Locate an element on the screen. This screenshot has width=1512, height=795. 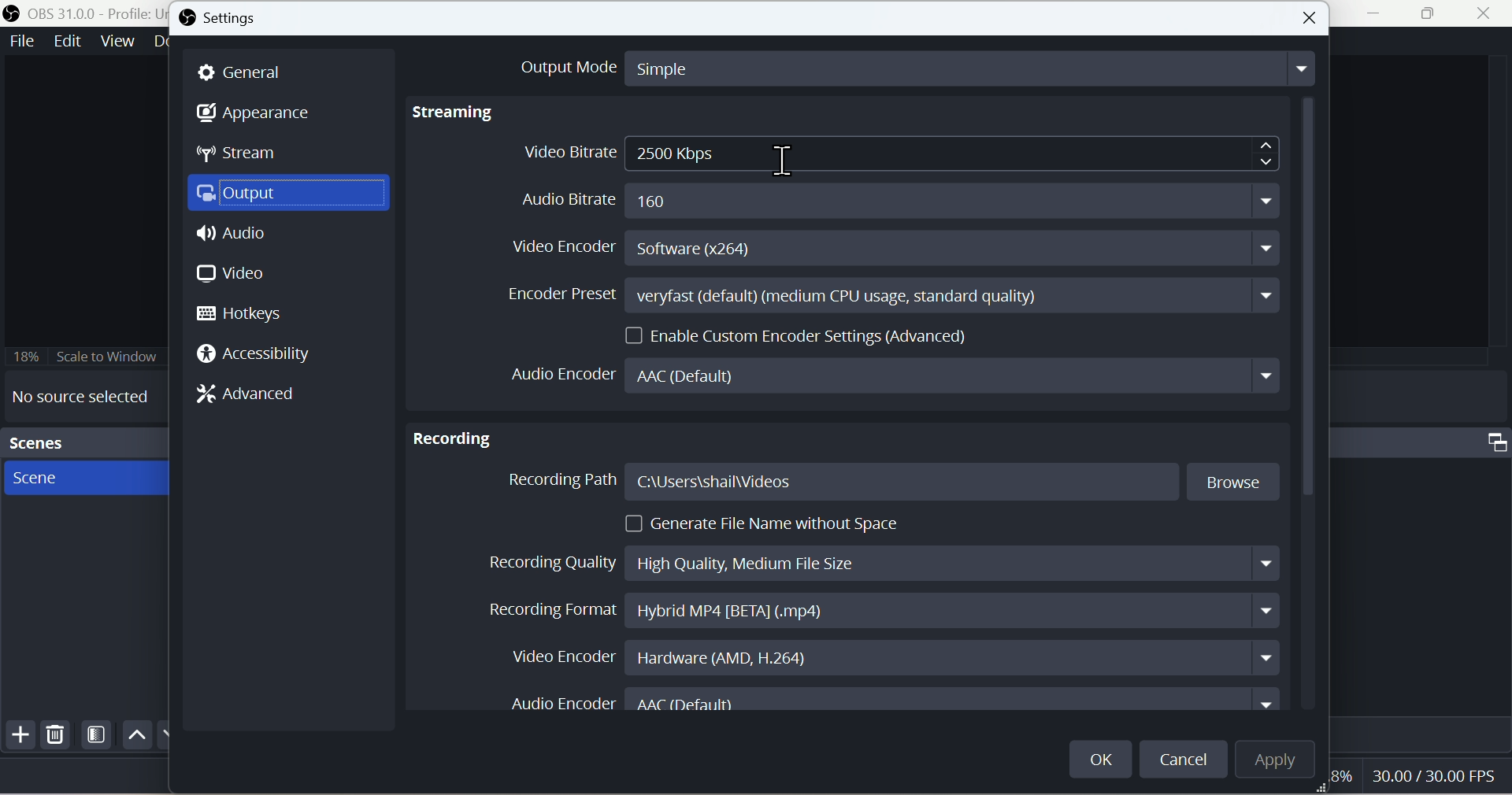
Output Mode is located at coordinates (900, 66).